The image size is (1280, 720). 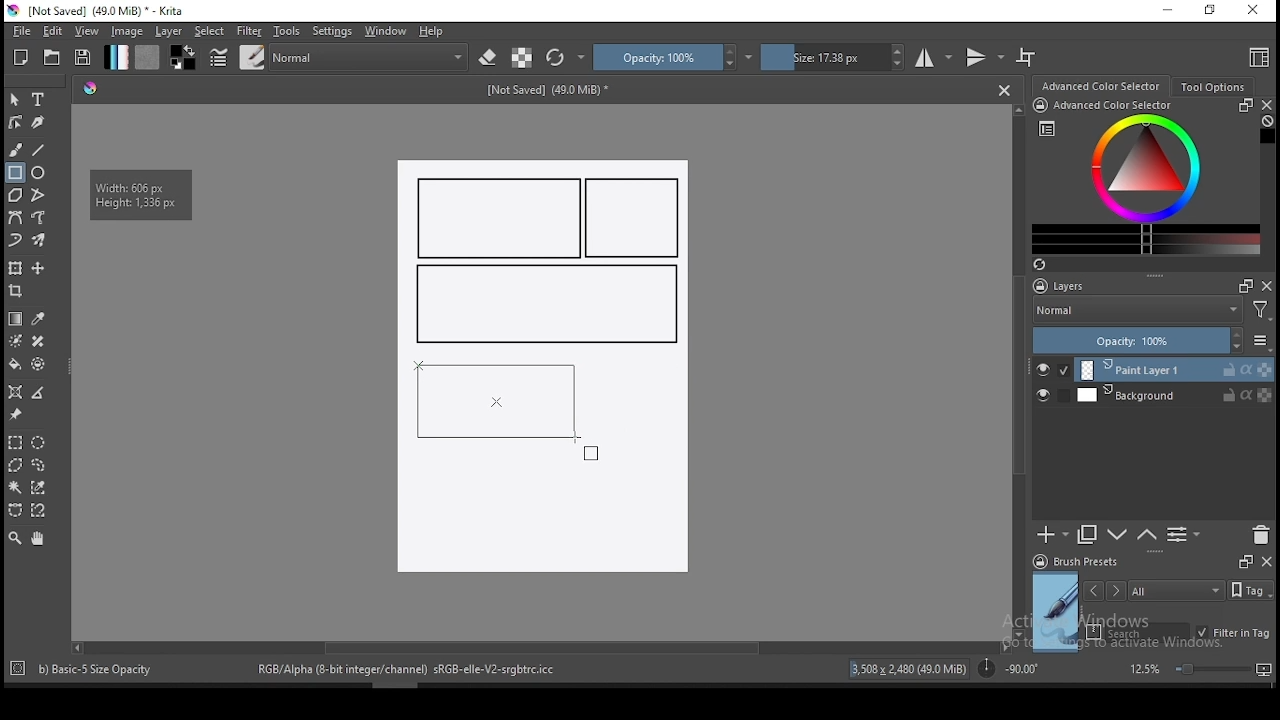 What do you see at coordinates (1142, 176) in the screenshot?
I see `advanced color selector` at bounding box center [1142, 176].